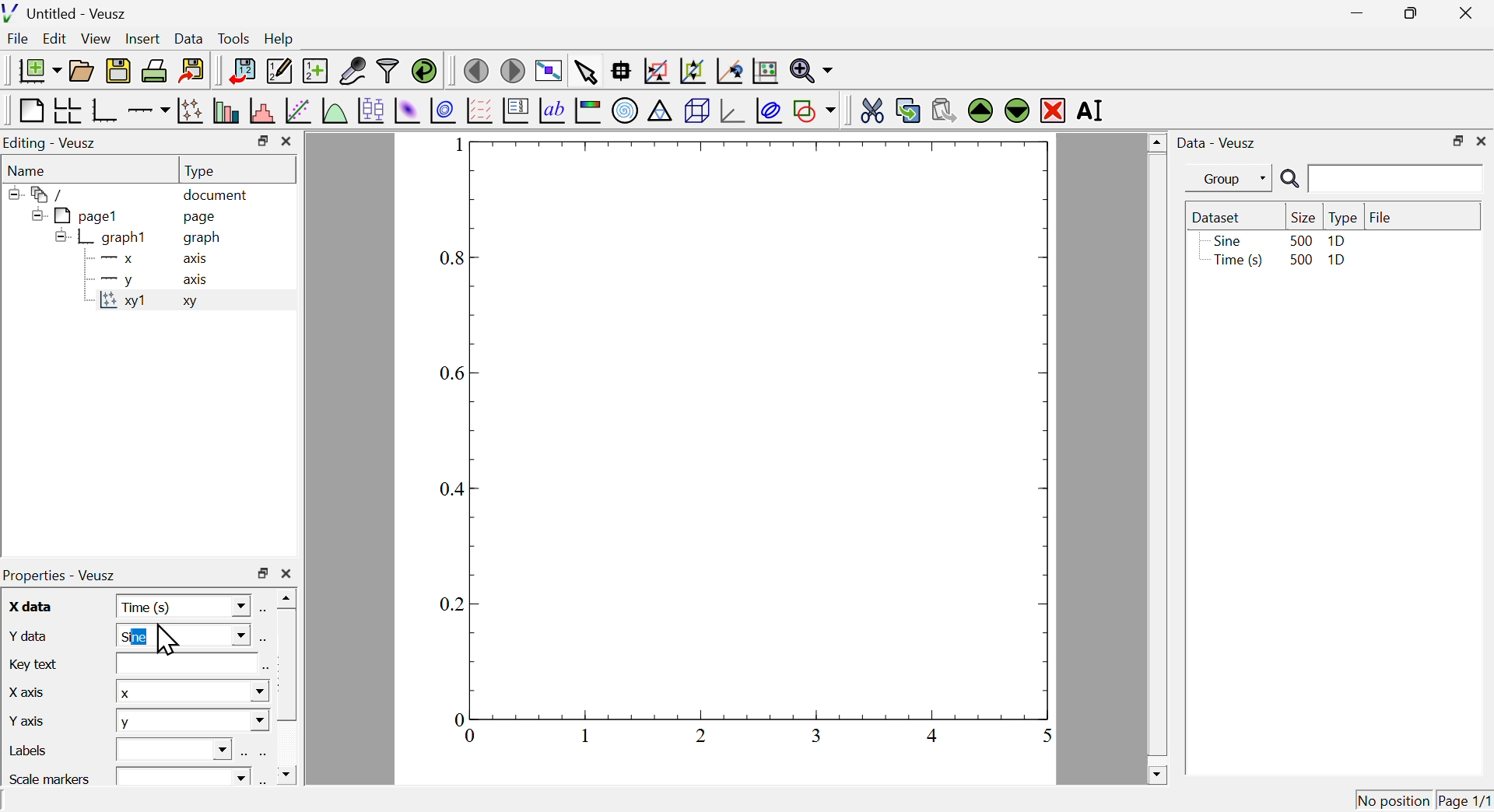 This screenshot has height=812, width=1494. I want to click on y, so click(192, 722).